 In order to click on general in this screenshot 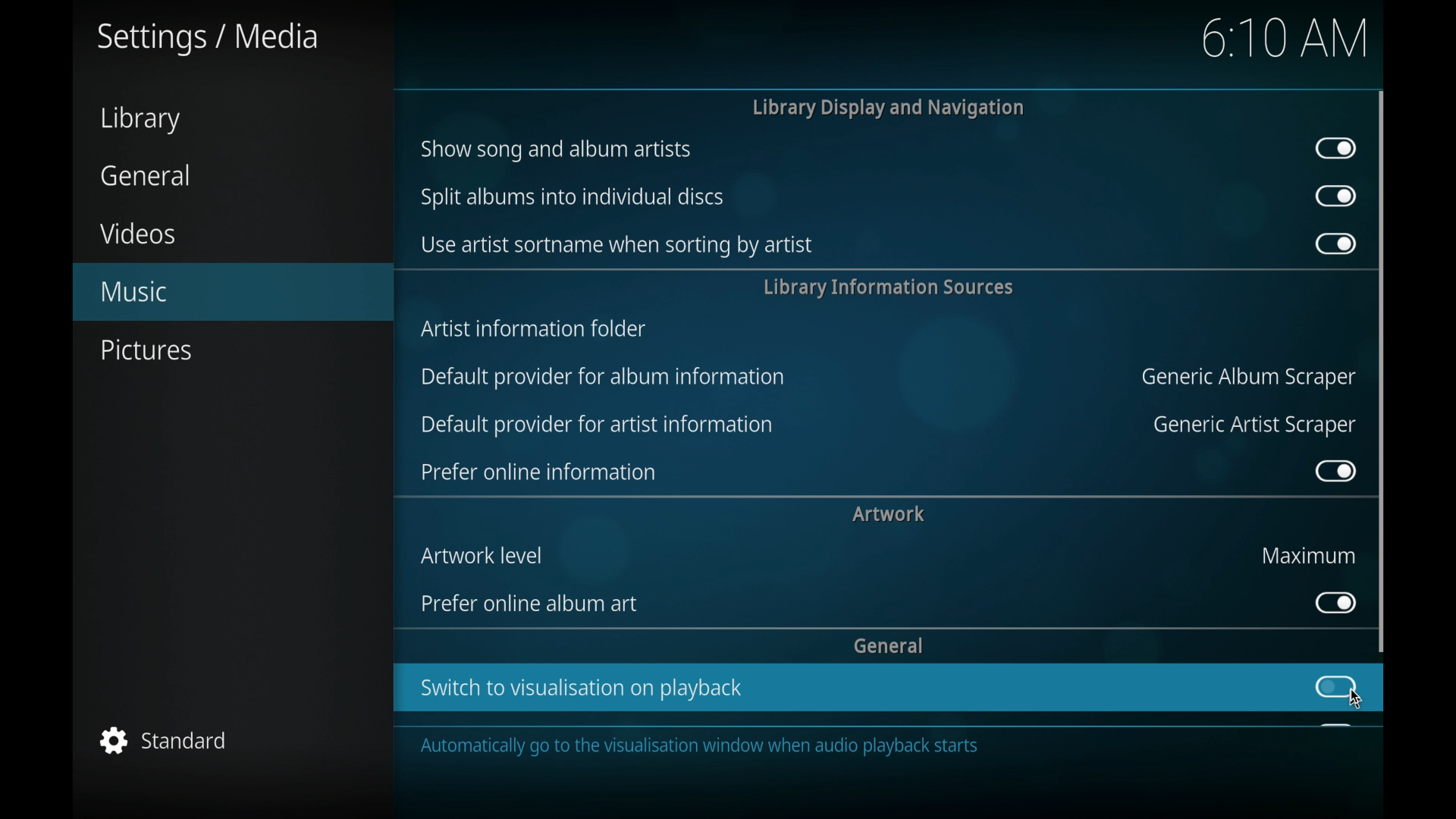, I will do `click(146, 175)`.